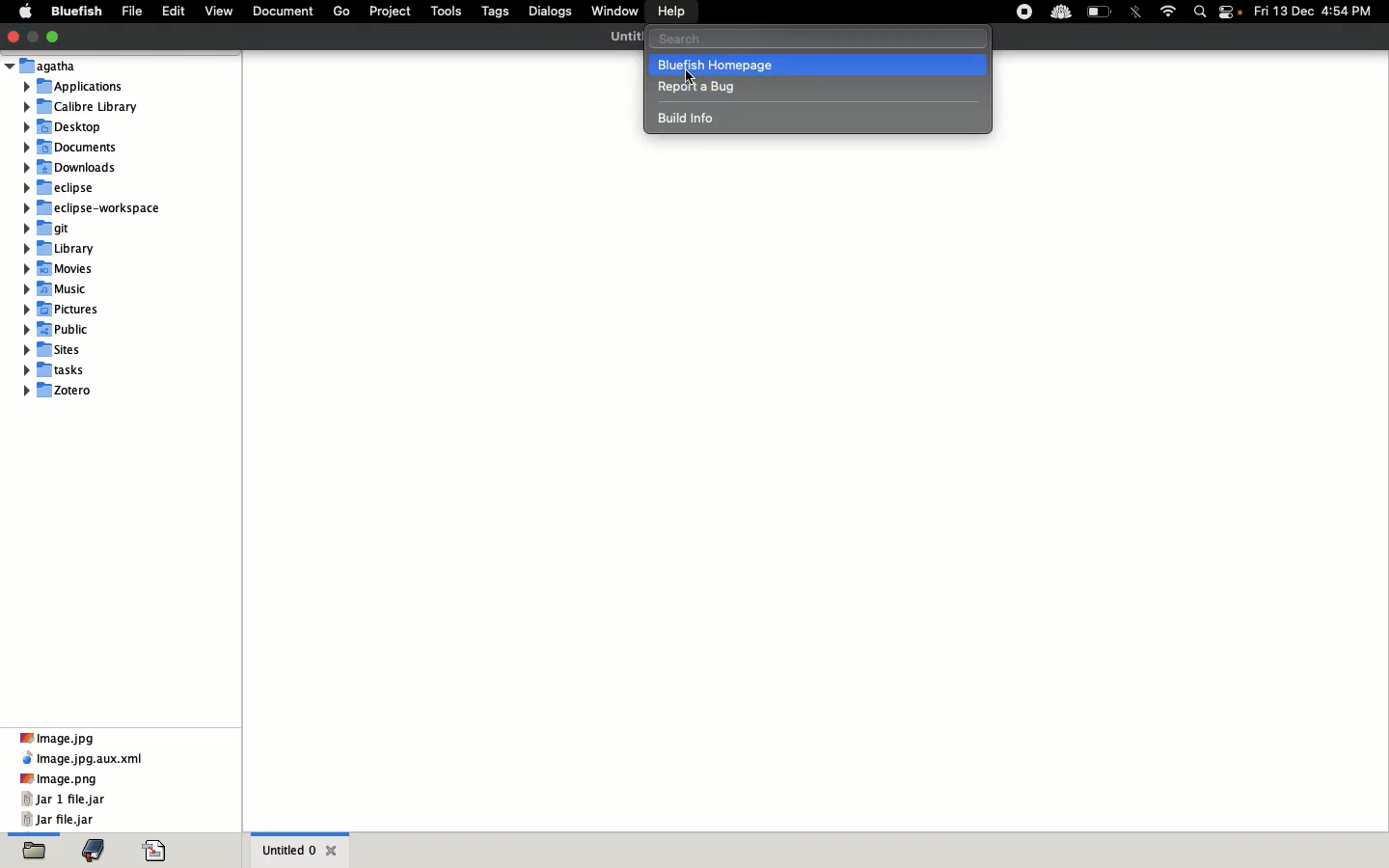 This screenshot has height=868, width=1389. Describe the element at coordinates (1100, 13) in the screenshot. I see `Charge` at that location.